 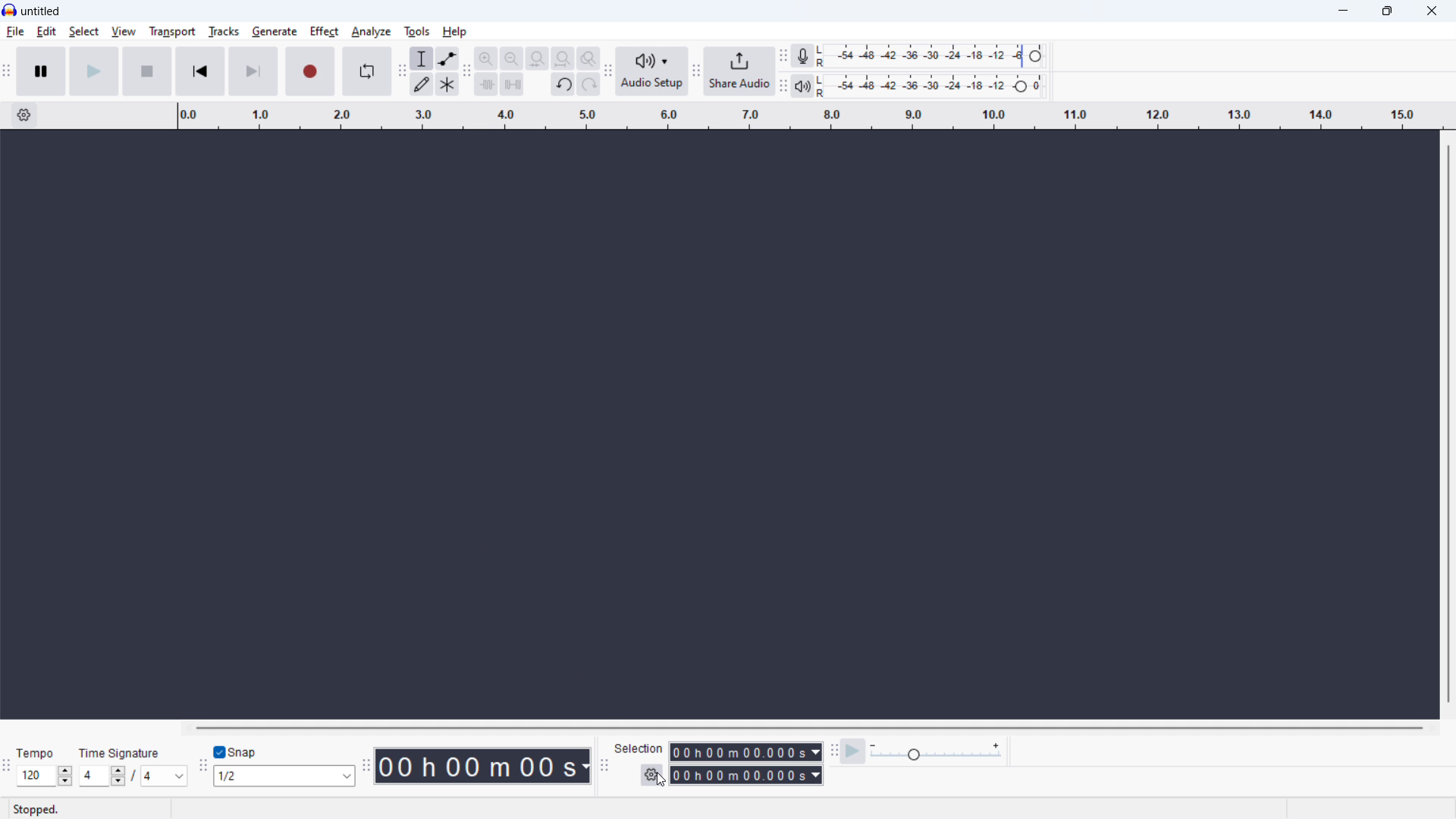 What do you see at coordinates (802, 86) in the screenshot?
I see `playback meter` at bounding box center [802, 86].